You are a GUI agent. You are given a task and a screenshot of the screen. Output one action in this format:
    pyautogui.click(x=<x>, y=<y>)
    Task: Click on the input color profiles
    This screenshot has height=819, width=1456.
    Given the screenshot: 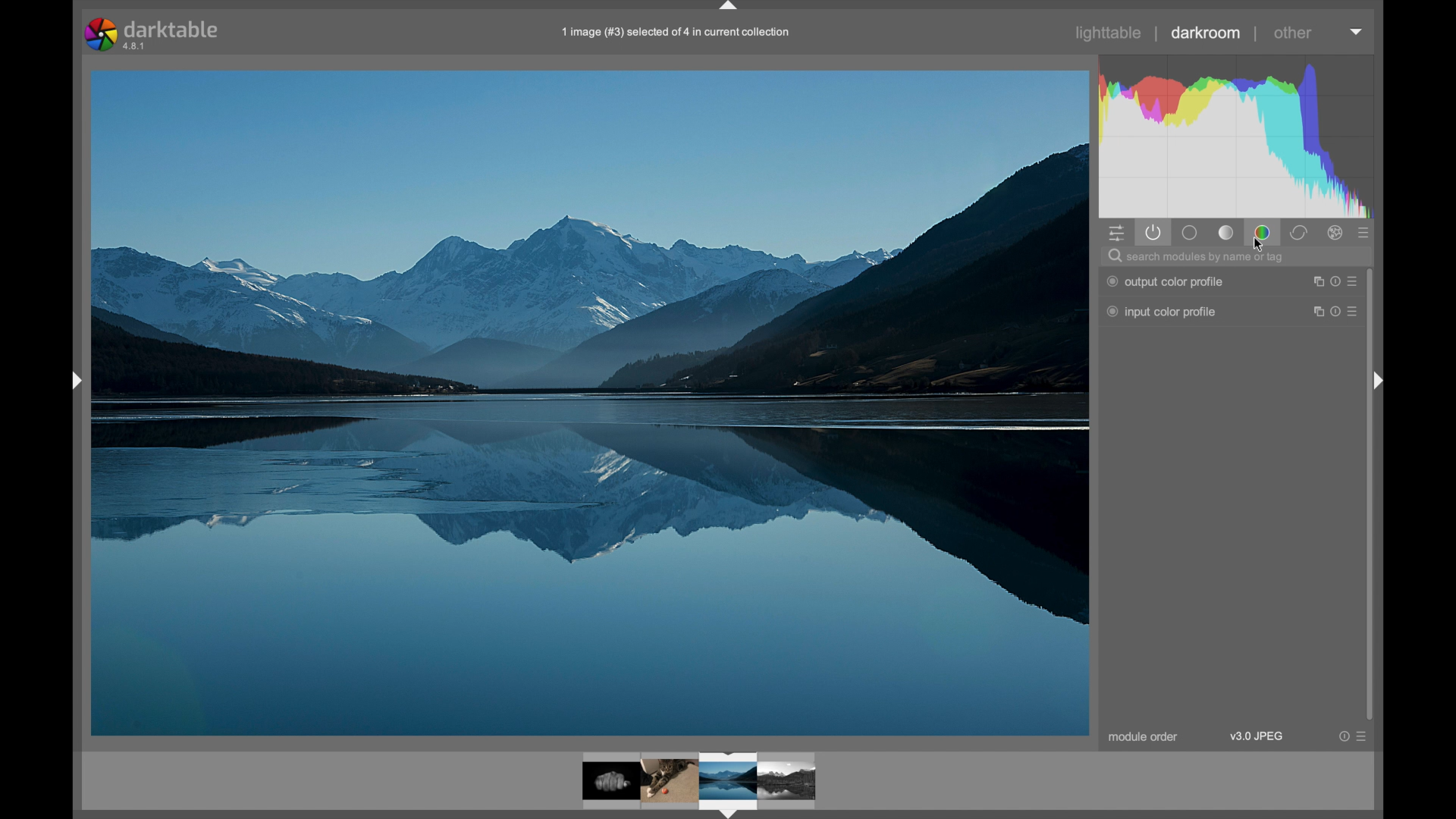 What is the action you would take?
    pyautogui.click(x=1162, y=312)
    